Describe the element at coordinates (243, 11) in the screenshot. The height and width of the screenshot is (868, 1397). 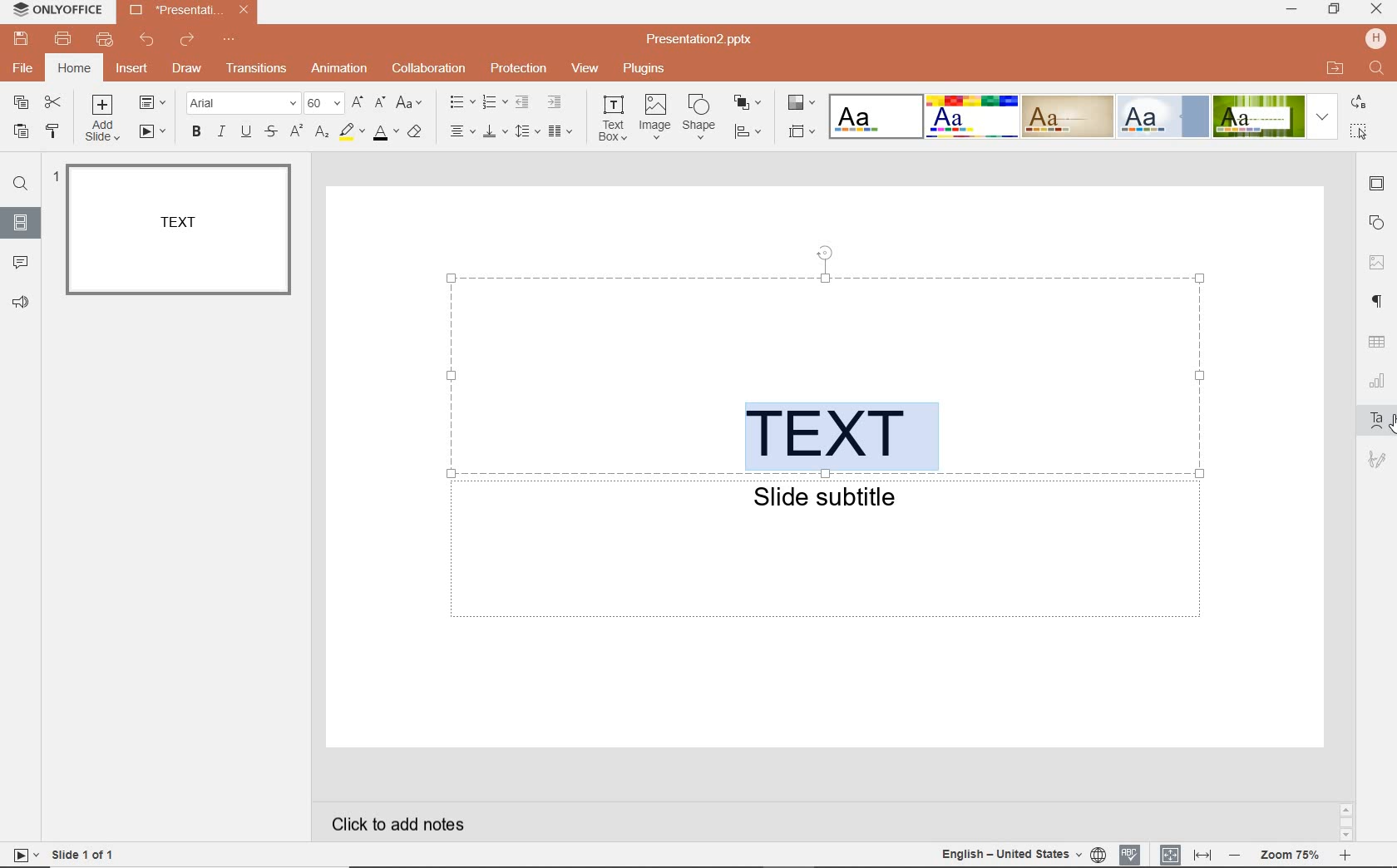
I see `close` at that location.